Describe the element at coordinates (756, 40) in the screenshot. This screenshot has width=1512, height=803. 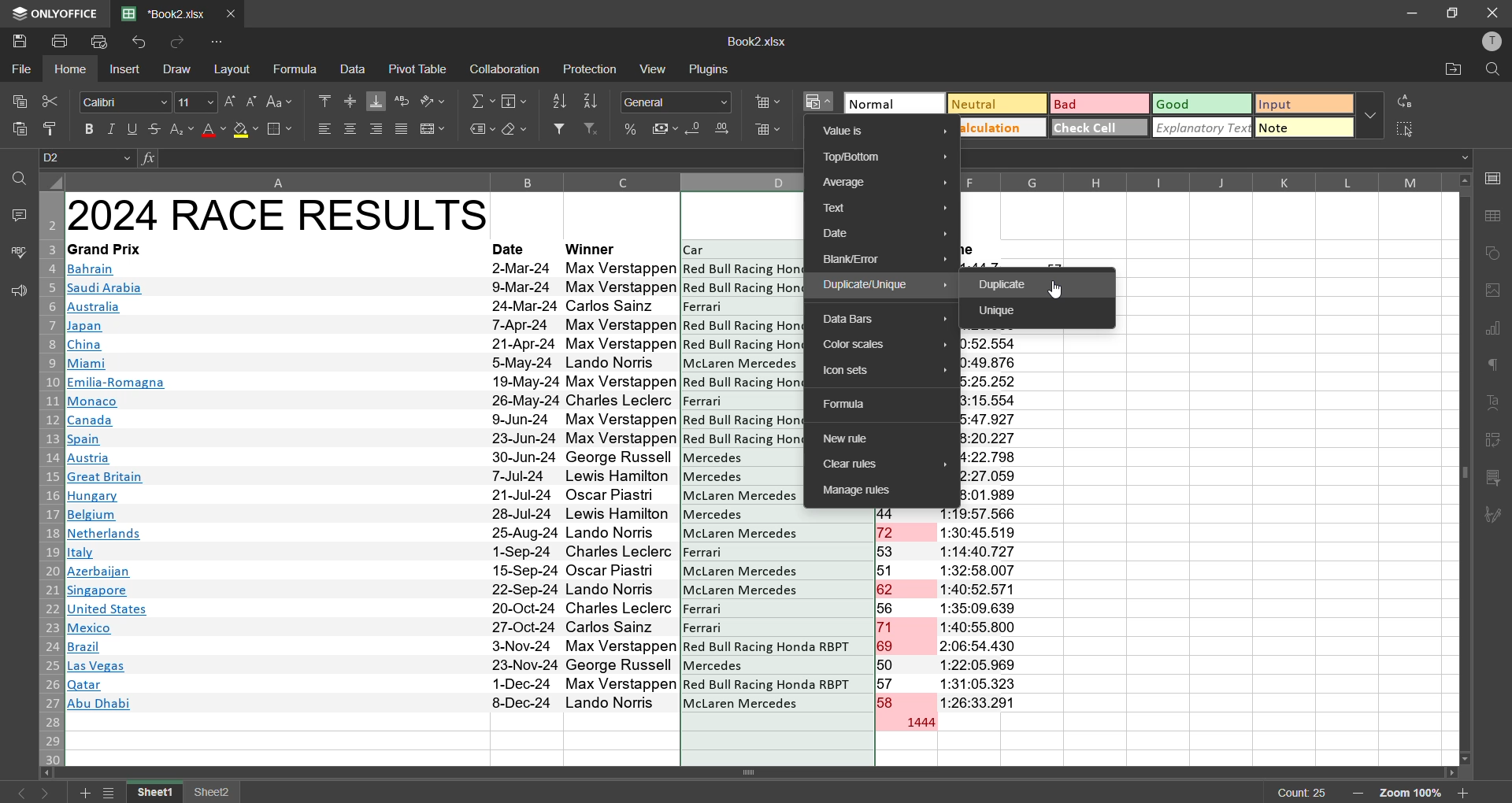
I see `filename` at that location.